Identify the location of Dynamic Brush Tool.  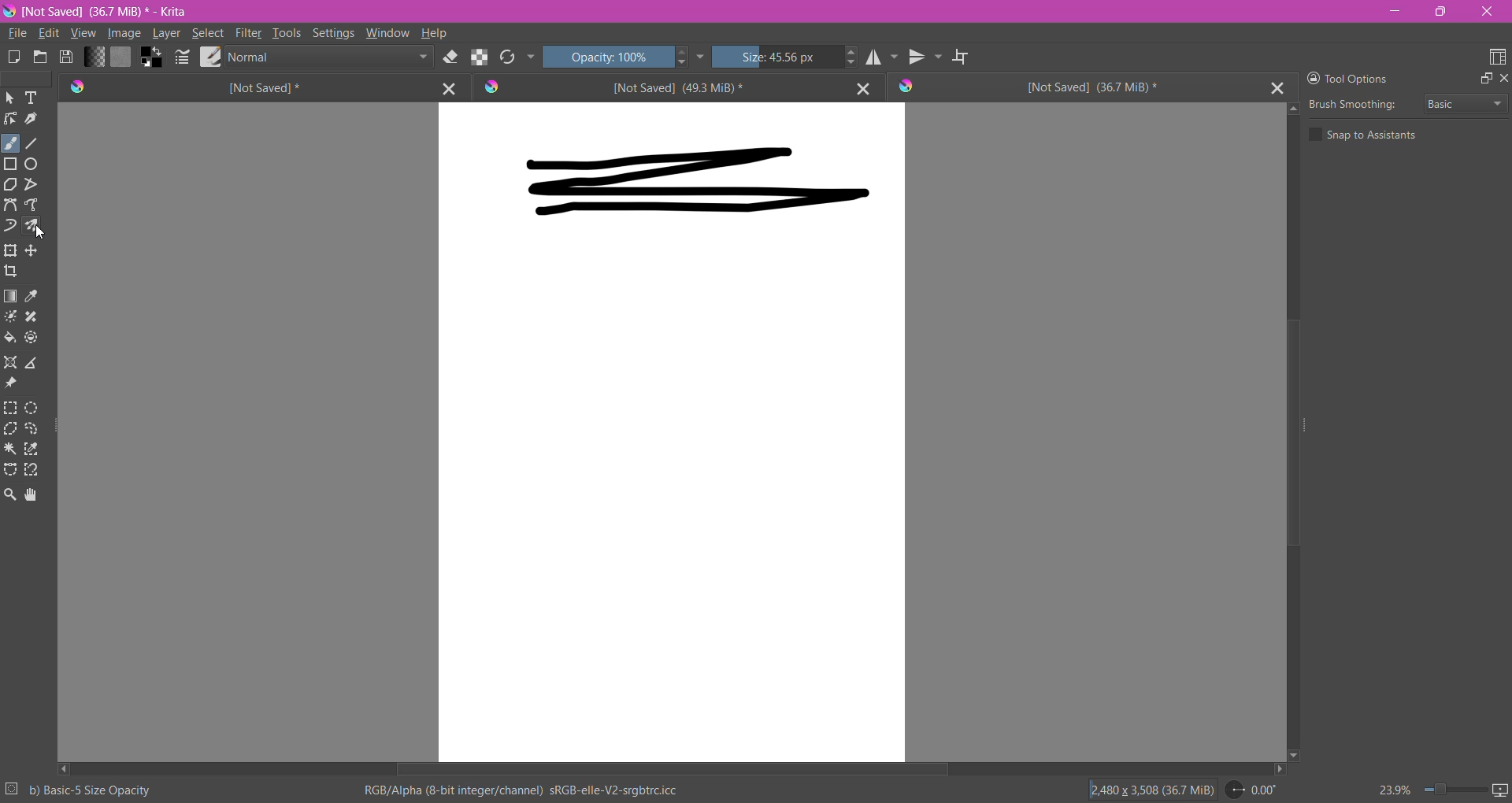
(10, 224).